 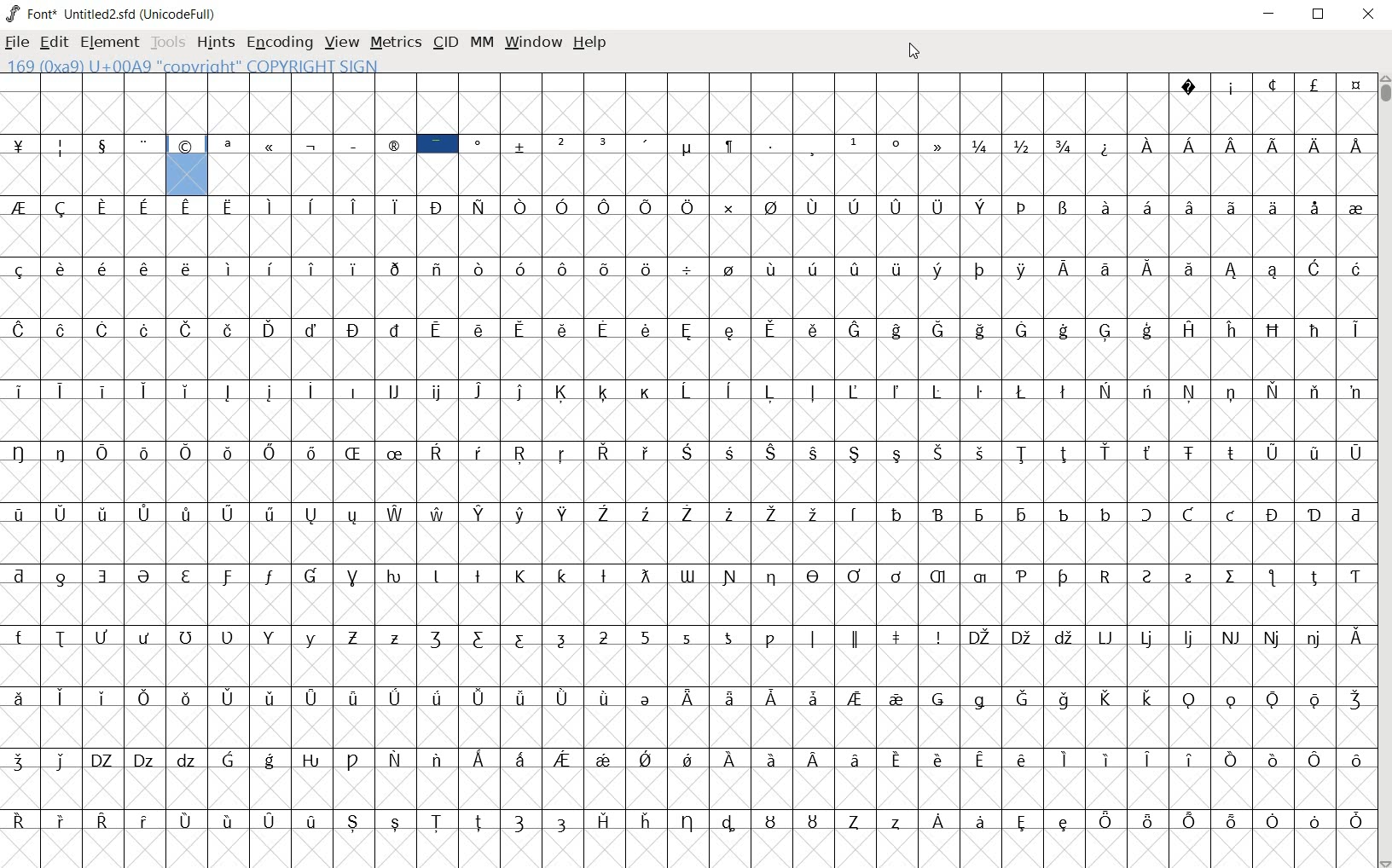 I want to click on cid, so click(x=444, y=43).